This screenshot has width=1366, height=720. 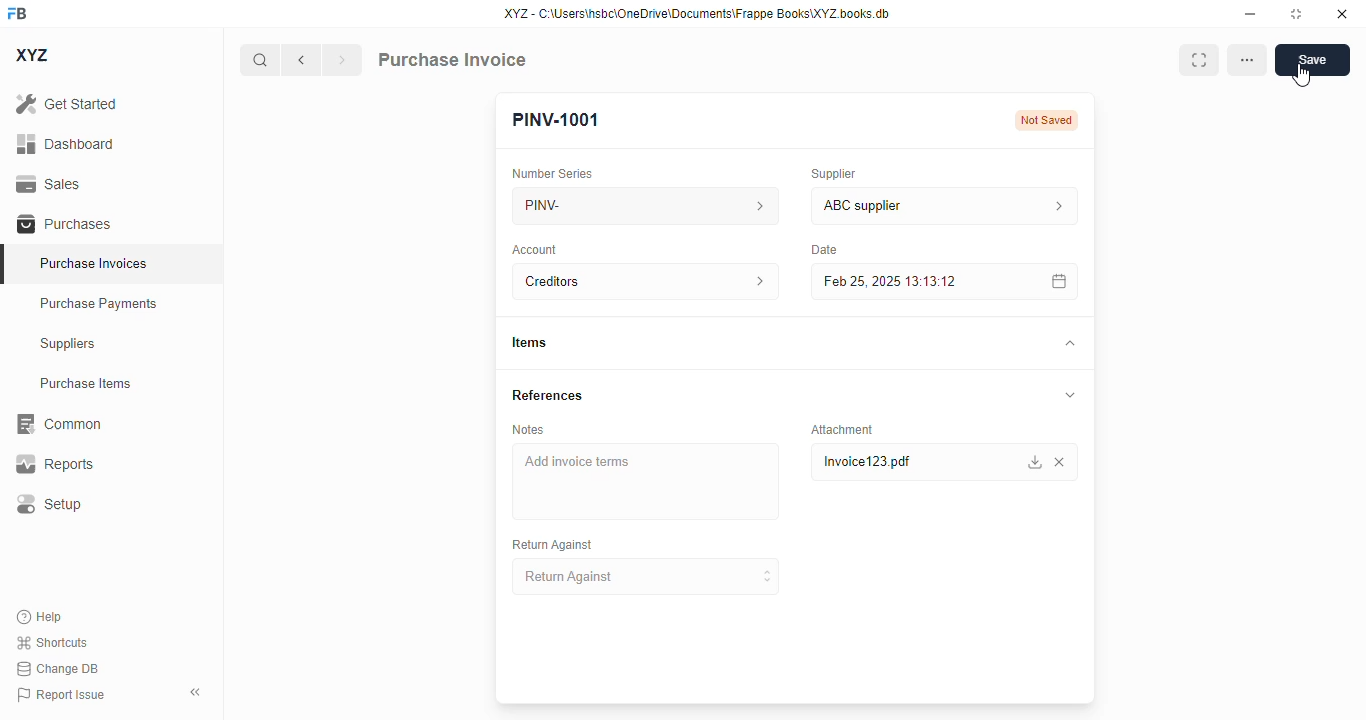 What do you see at coordinates (1035, 462) in the screenshot?
I see `download` at bounding box center [1035, 462].